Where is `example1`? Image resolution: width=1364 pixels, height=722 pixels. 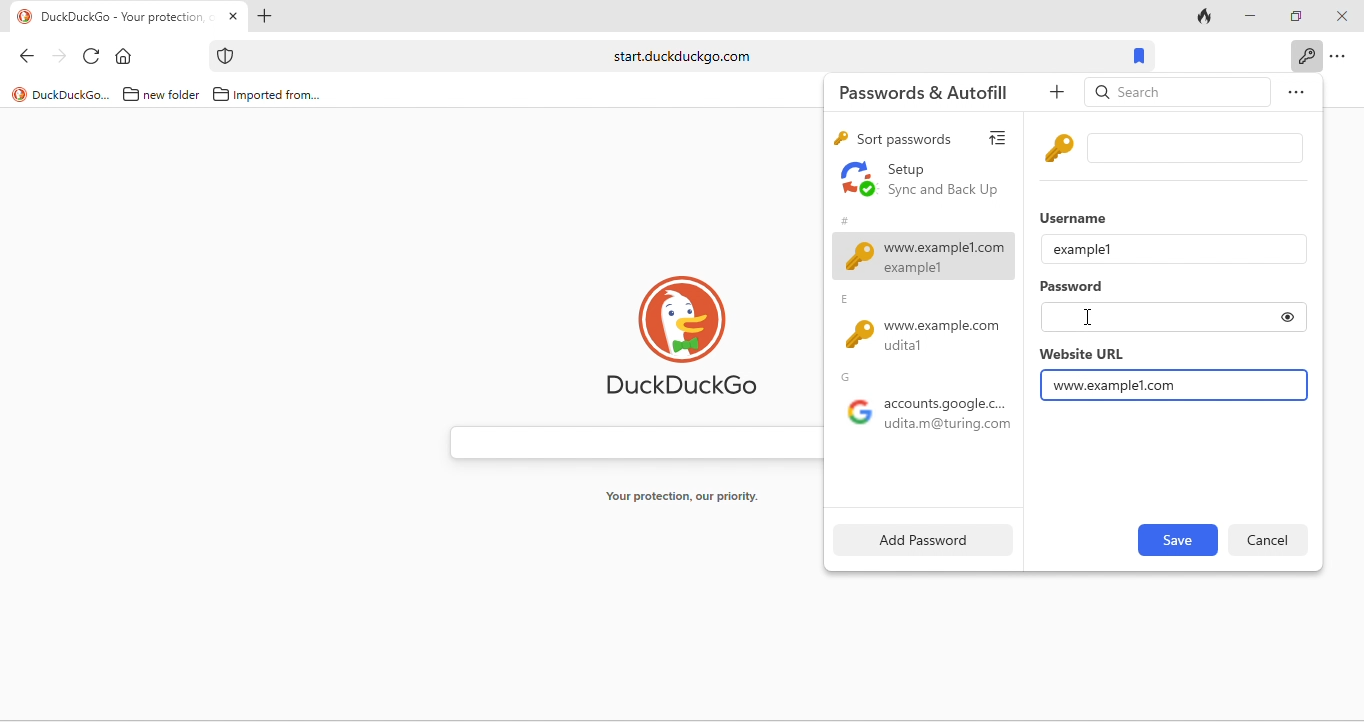 example1 is located at coordinates (1083, 248).